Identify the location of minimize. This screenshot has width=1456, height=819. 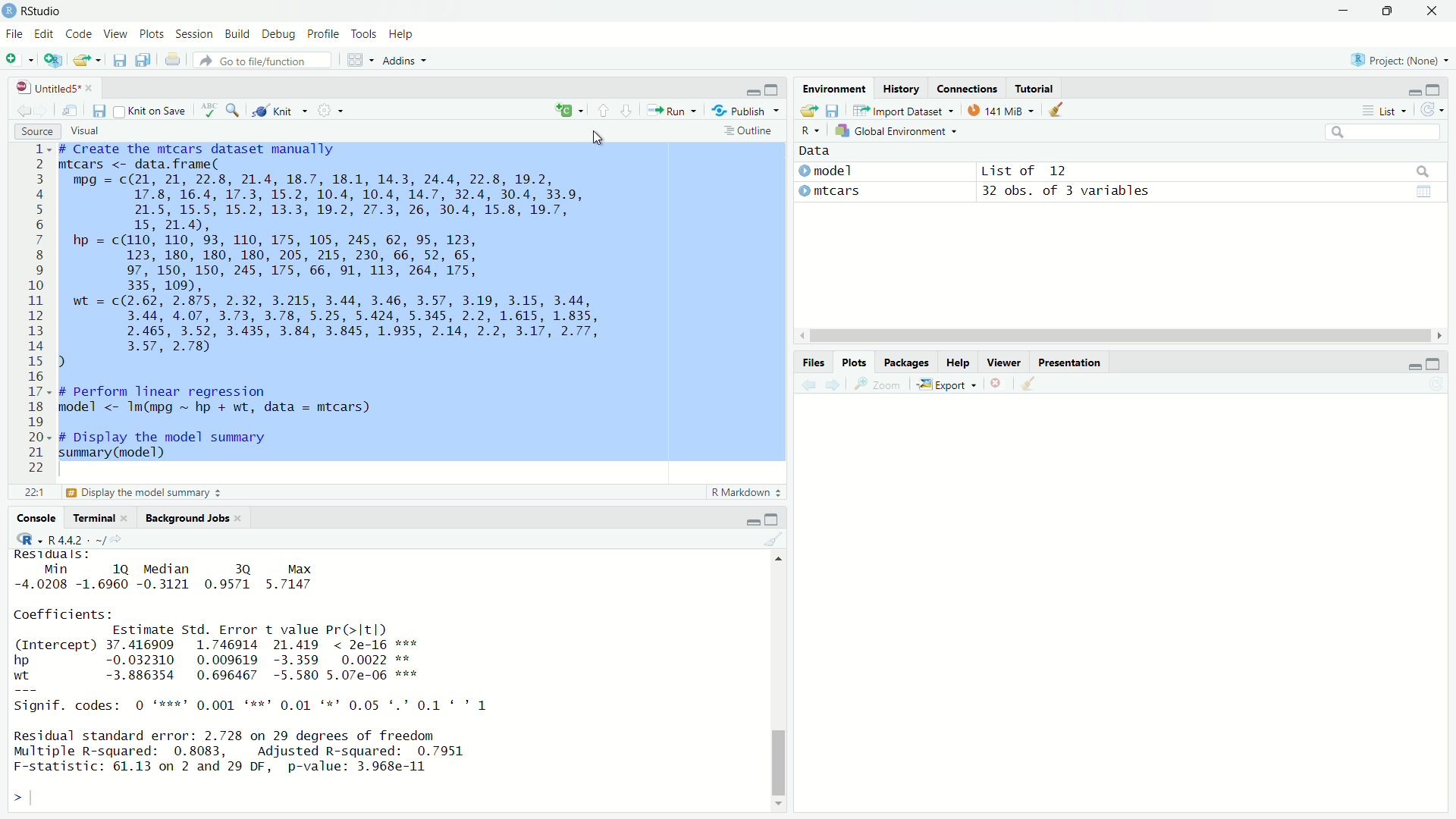
(752, 521).